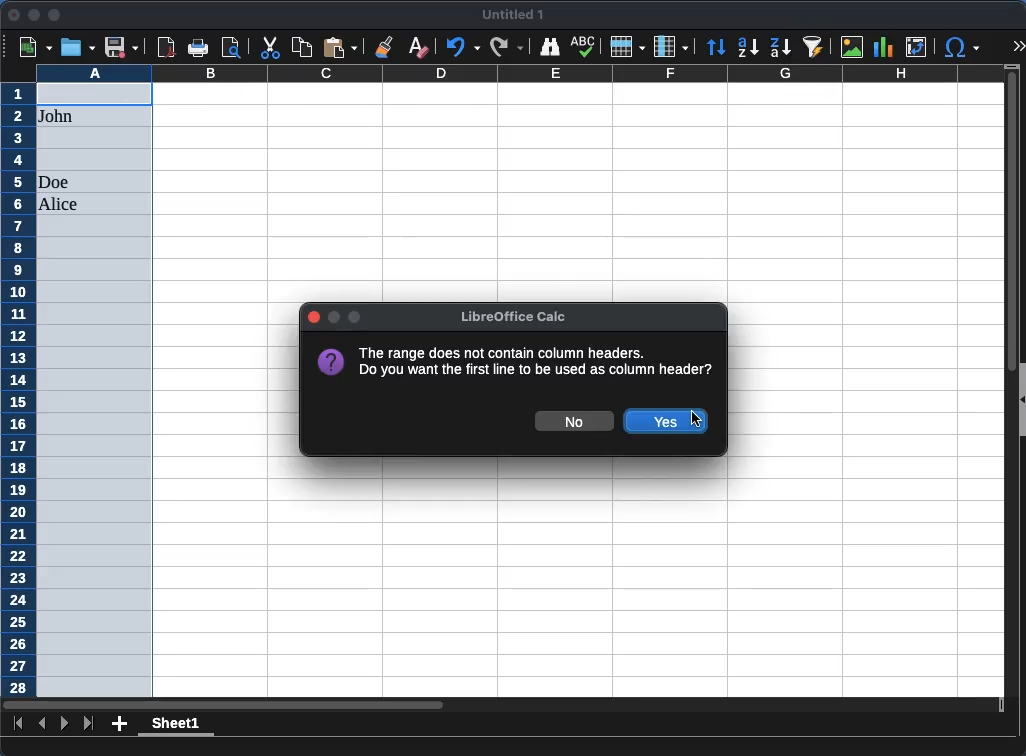 This screenshot has width=1026, height=756. What do you see at coordinates (17, 722) in the screenshot?
I see `first sheet` at bounding box center [17, 722].